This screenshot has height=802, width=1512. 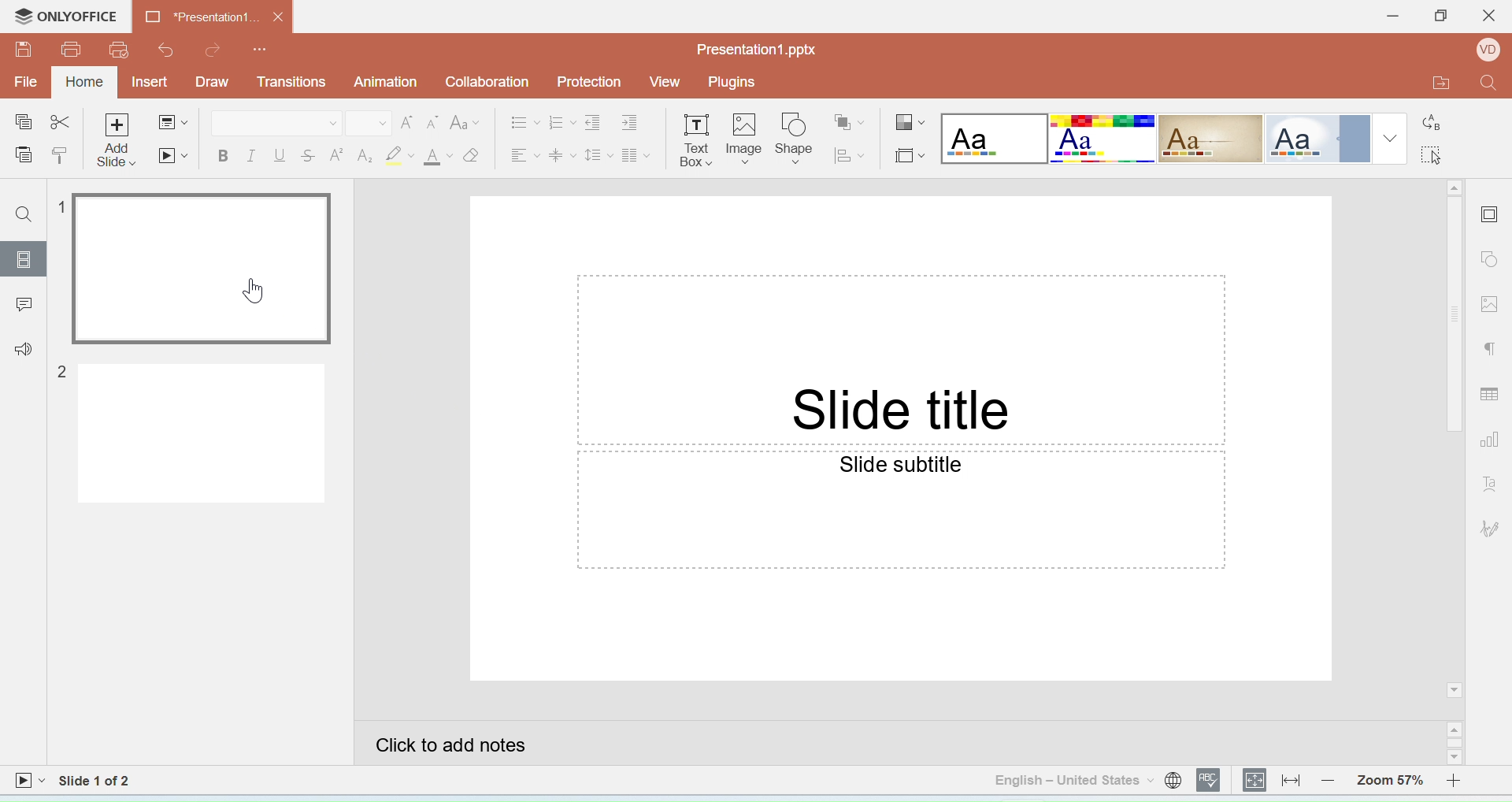 What do you see at coordinates (153, 83) in the screenshot?
I see `Insert` at bounding box center [153, 83].